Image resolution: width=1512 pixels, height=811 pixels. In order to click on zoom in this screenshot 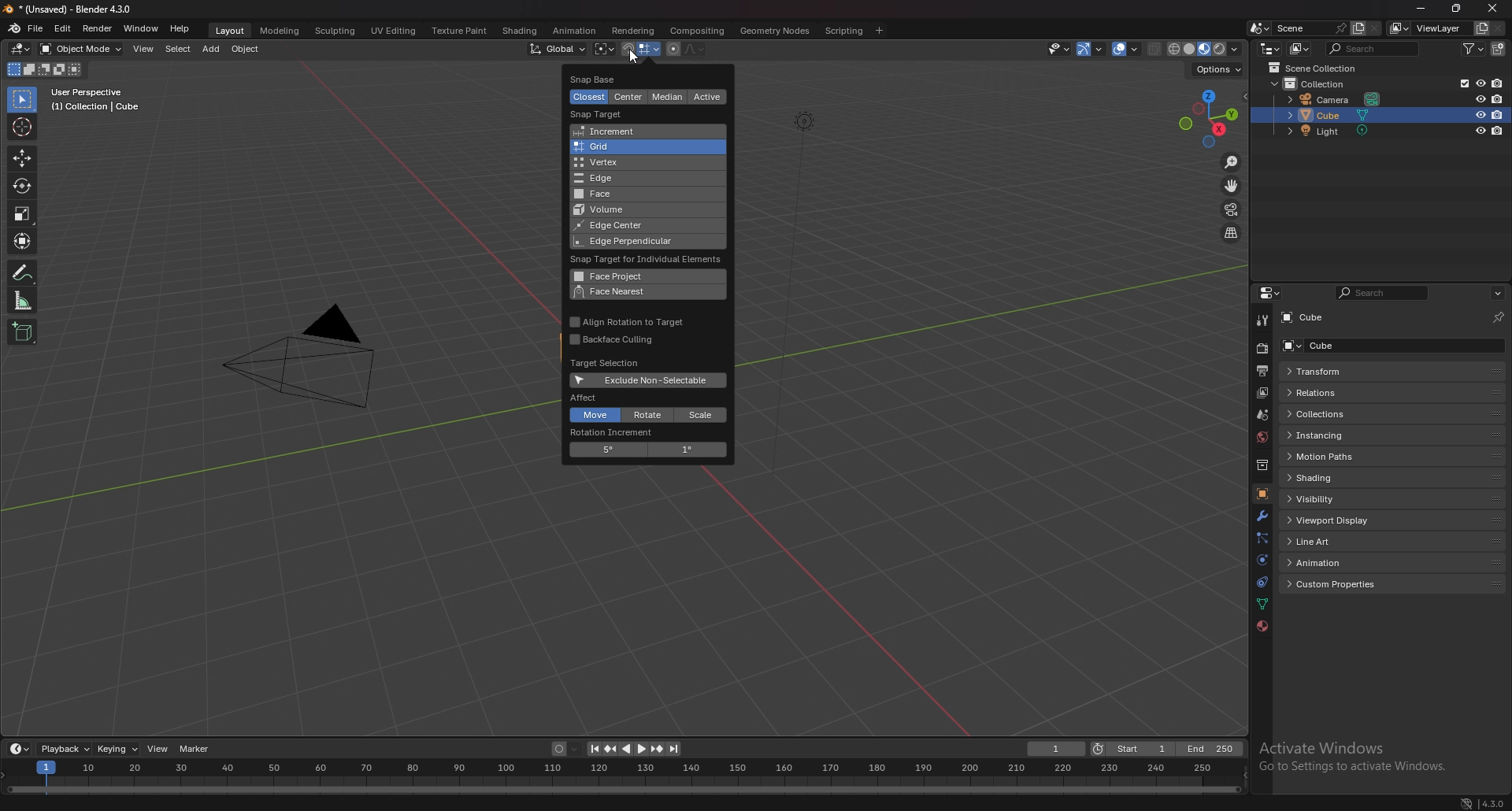, I will do `click(1232, 163)`.